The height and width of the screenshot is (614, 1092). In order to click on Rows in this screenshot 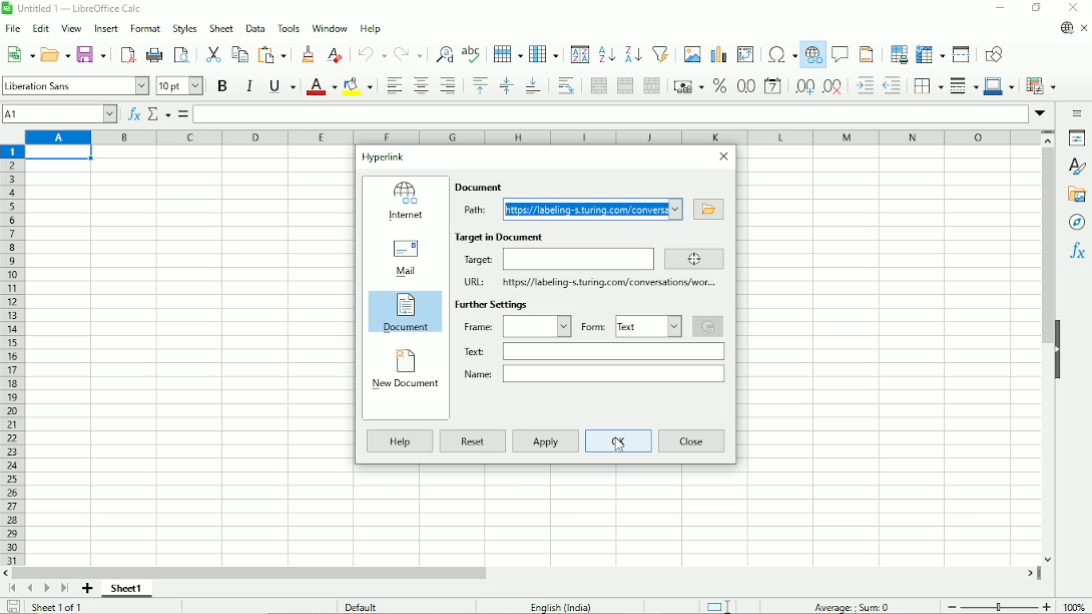, I will do `click(507, 54)`.